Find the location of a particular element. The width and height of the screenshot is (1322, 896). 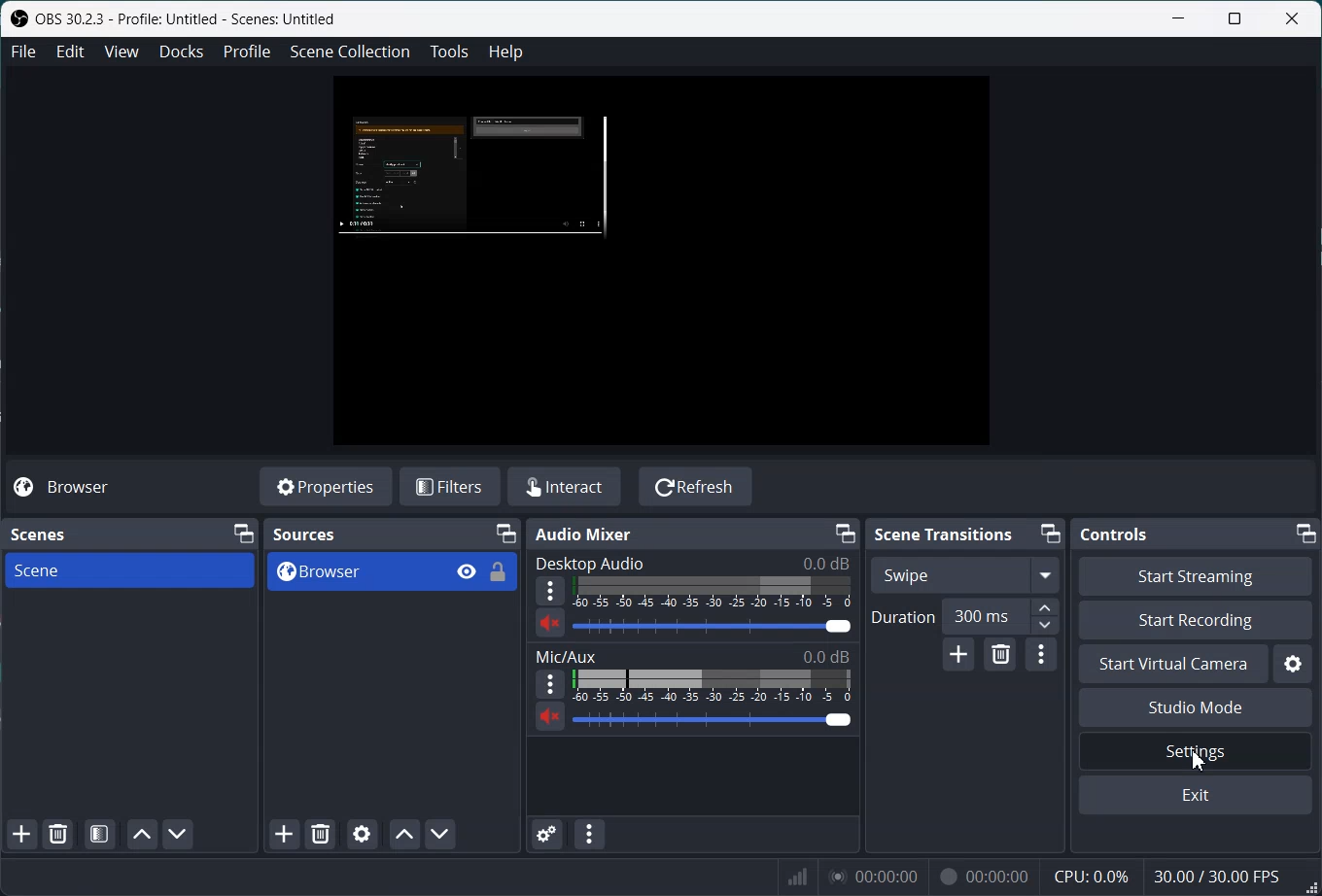

Add Sources is located at coordinates (285, 834).